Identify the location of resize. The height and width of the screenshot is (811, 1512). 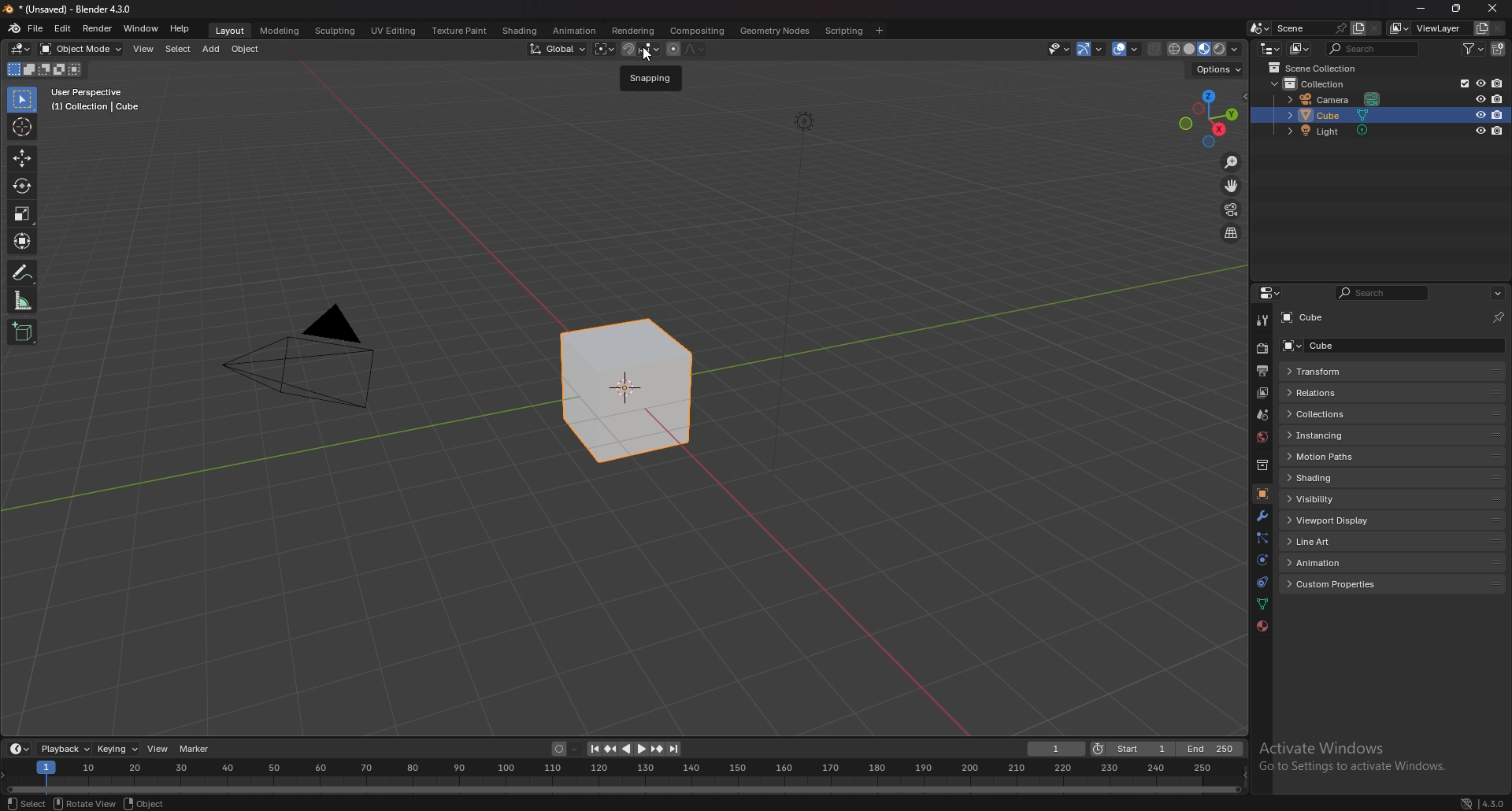
(1458, 8).